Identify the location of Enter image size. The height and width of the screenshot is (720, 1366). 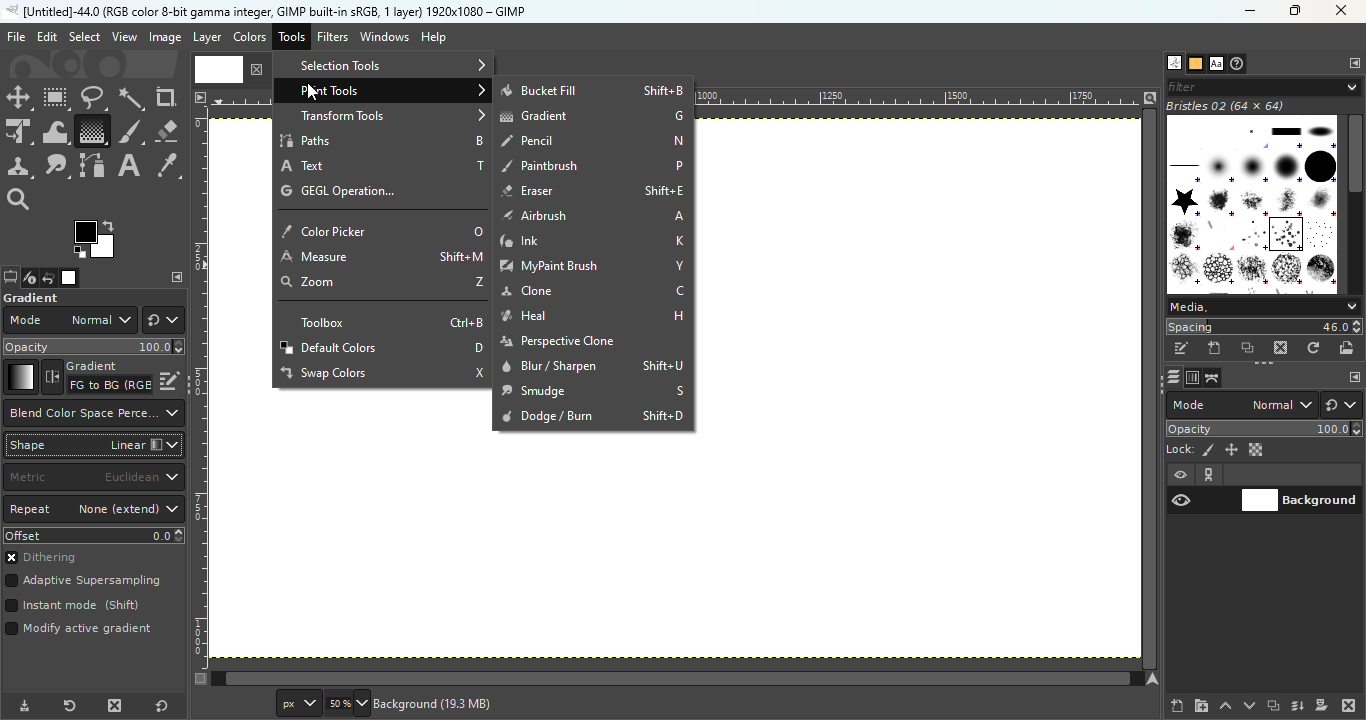
(345, 704).